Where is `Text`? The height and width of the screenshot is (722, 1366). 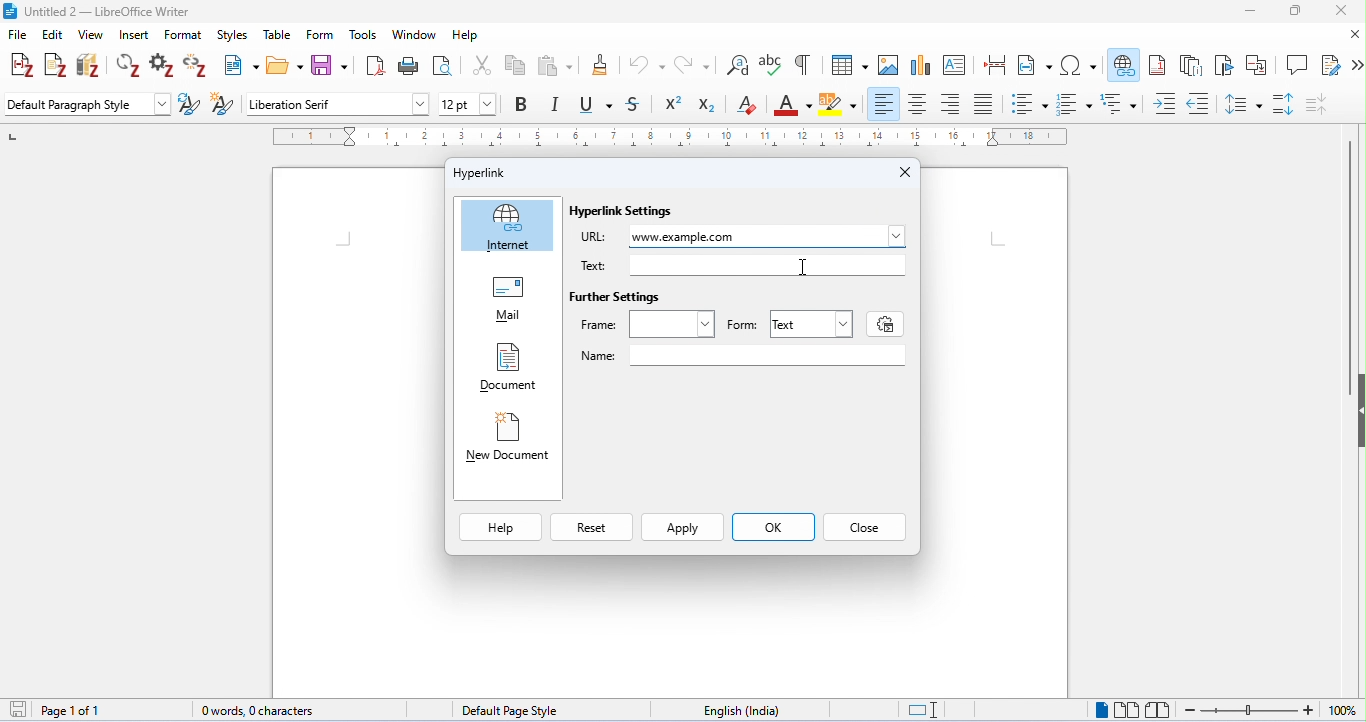 Text is located at coordinates (598, 263).